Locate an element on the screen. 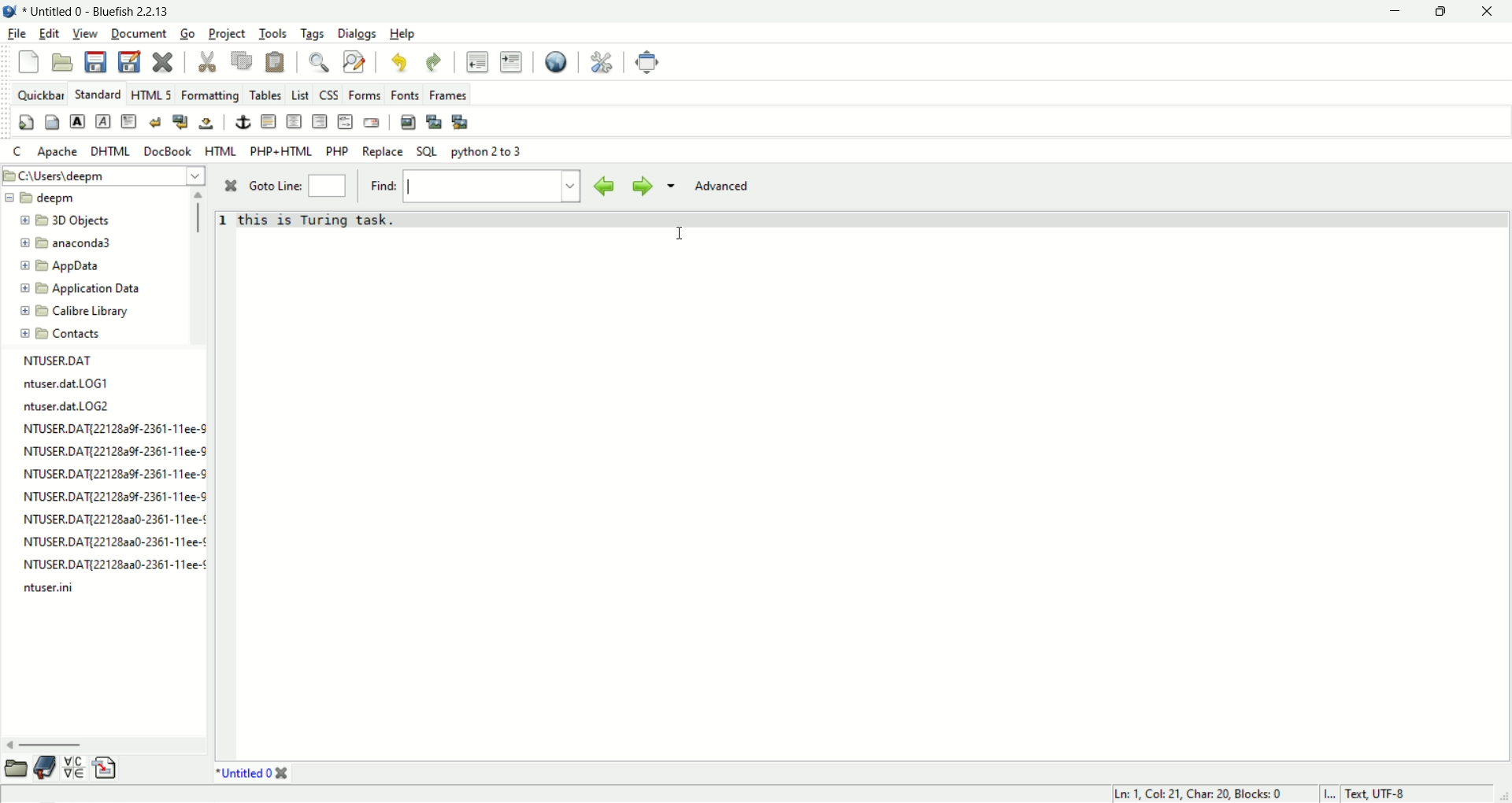 The image size is (1512, 803). quickbar is located at coordinates (41, 95).